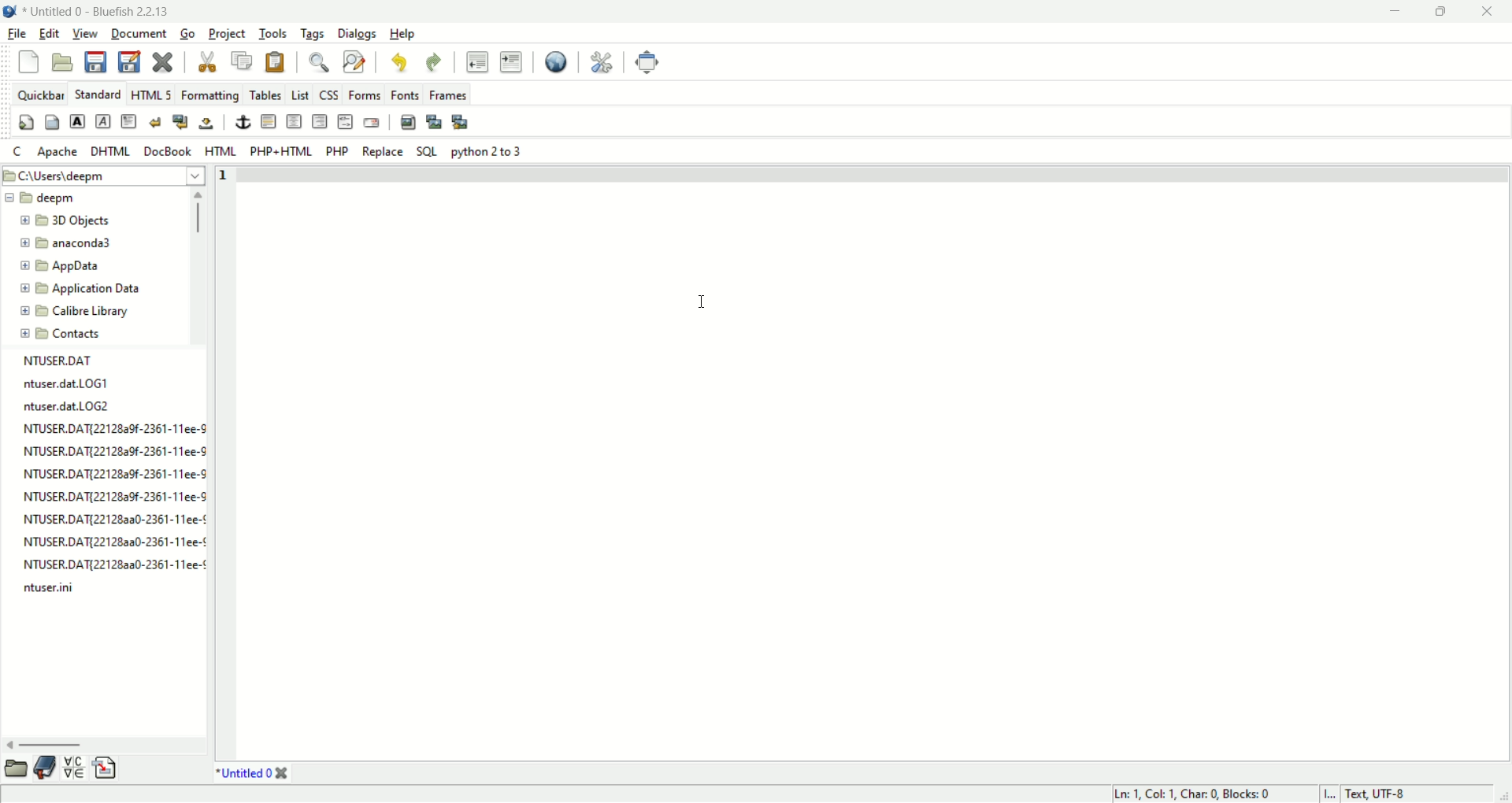 The height and width of the screenshot is (803, 1512). Describe the element at coordinates (198, 213) in the screenshot. I see `vertical scroll bar` at that location.